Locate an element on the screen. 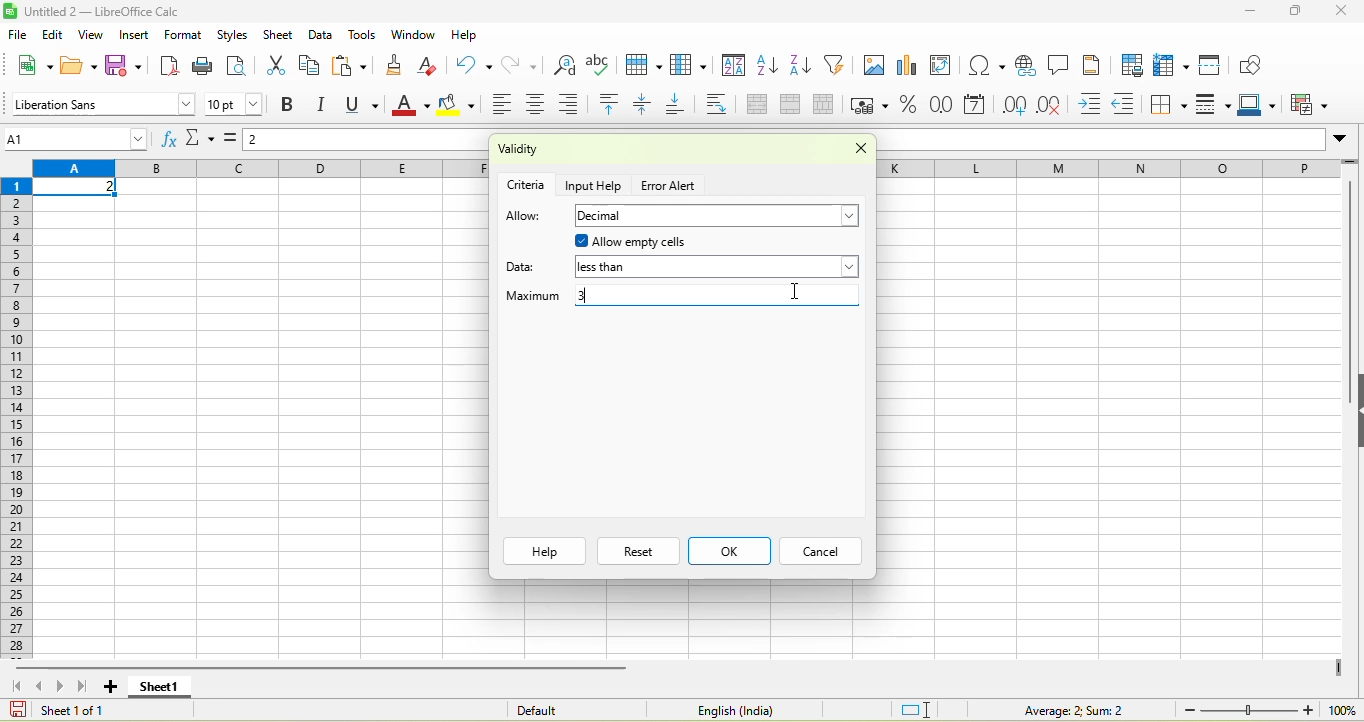 Image resolution: width=1364 pixels, height=722 pixels. maximum: 3 is located at coordinates (680, 298).